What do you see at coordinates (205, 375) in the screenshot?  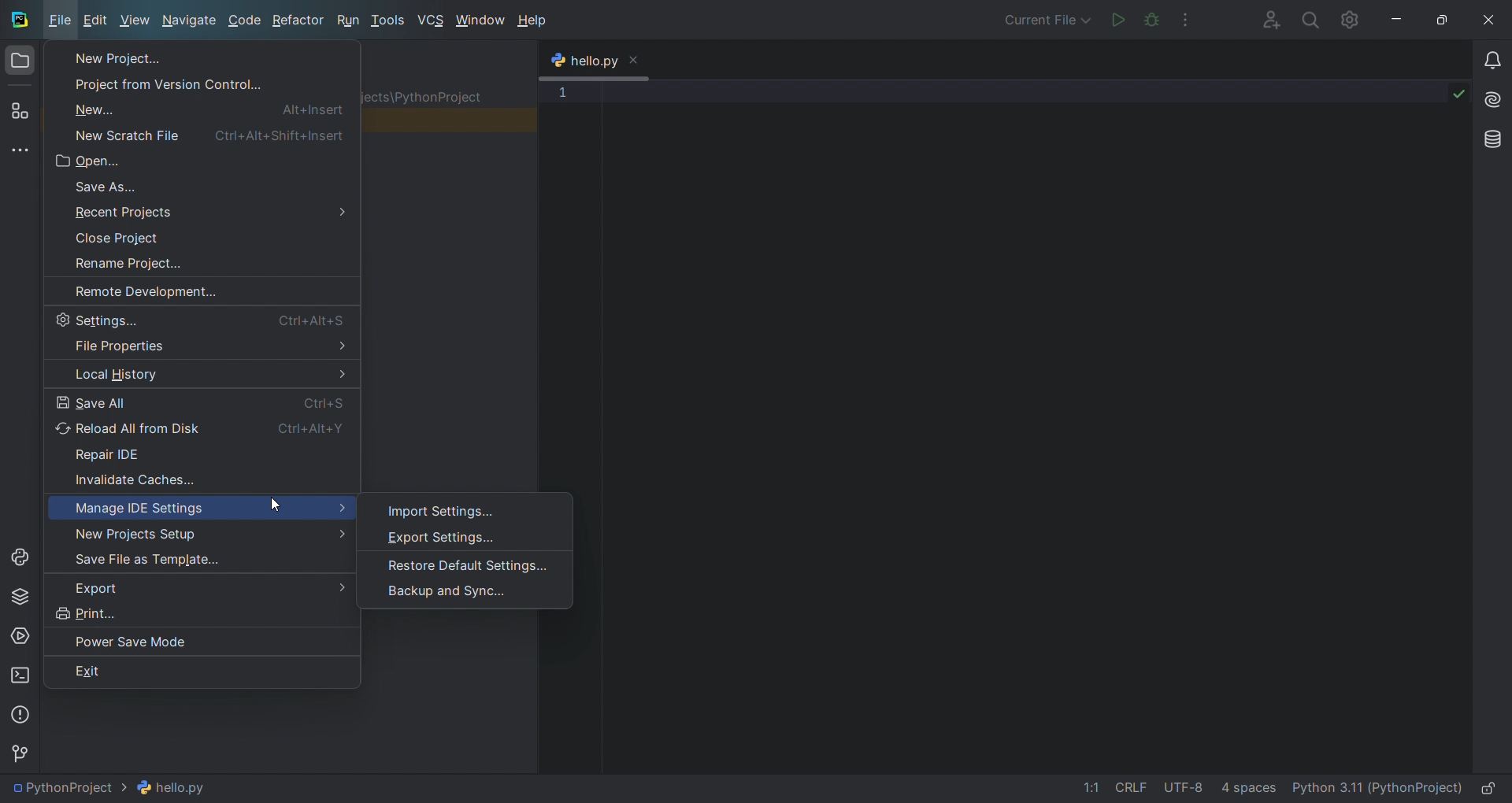 I see `history` at bounding box center [205, 375].